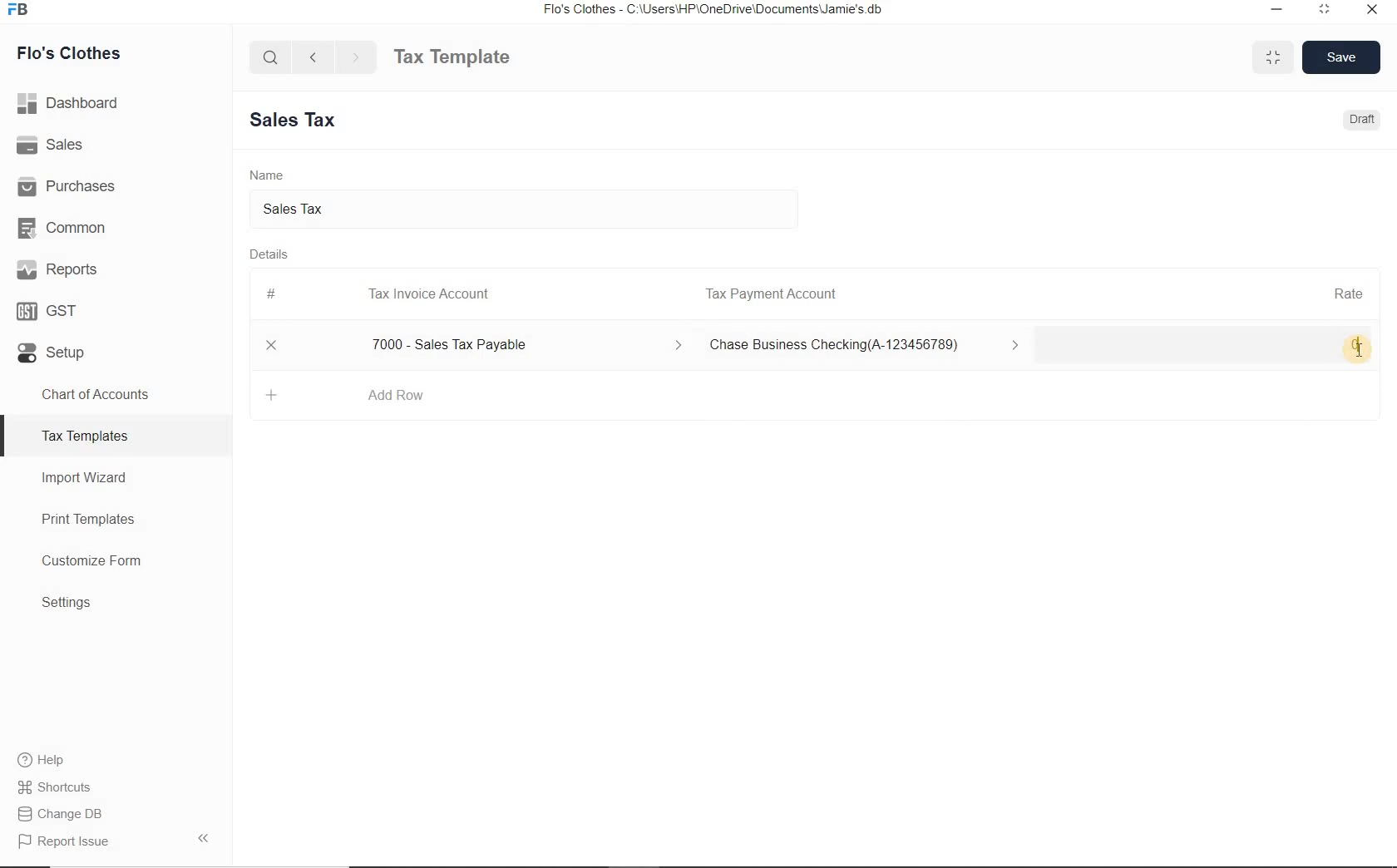 This screenshot has height=868, width=1397. What do you see at coordinates (17, 10) in the screenshot?
I see `FB Logo` at bounding box center [17, 10].